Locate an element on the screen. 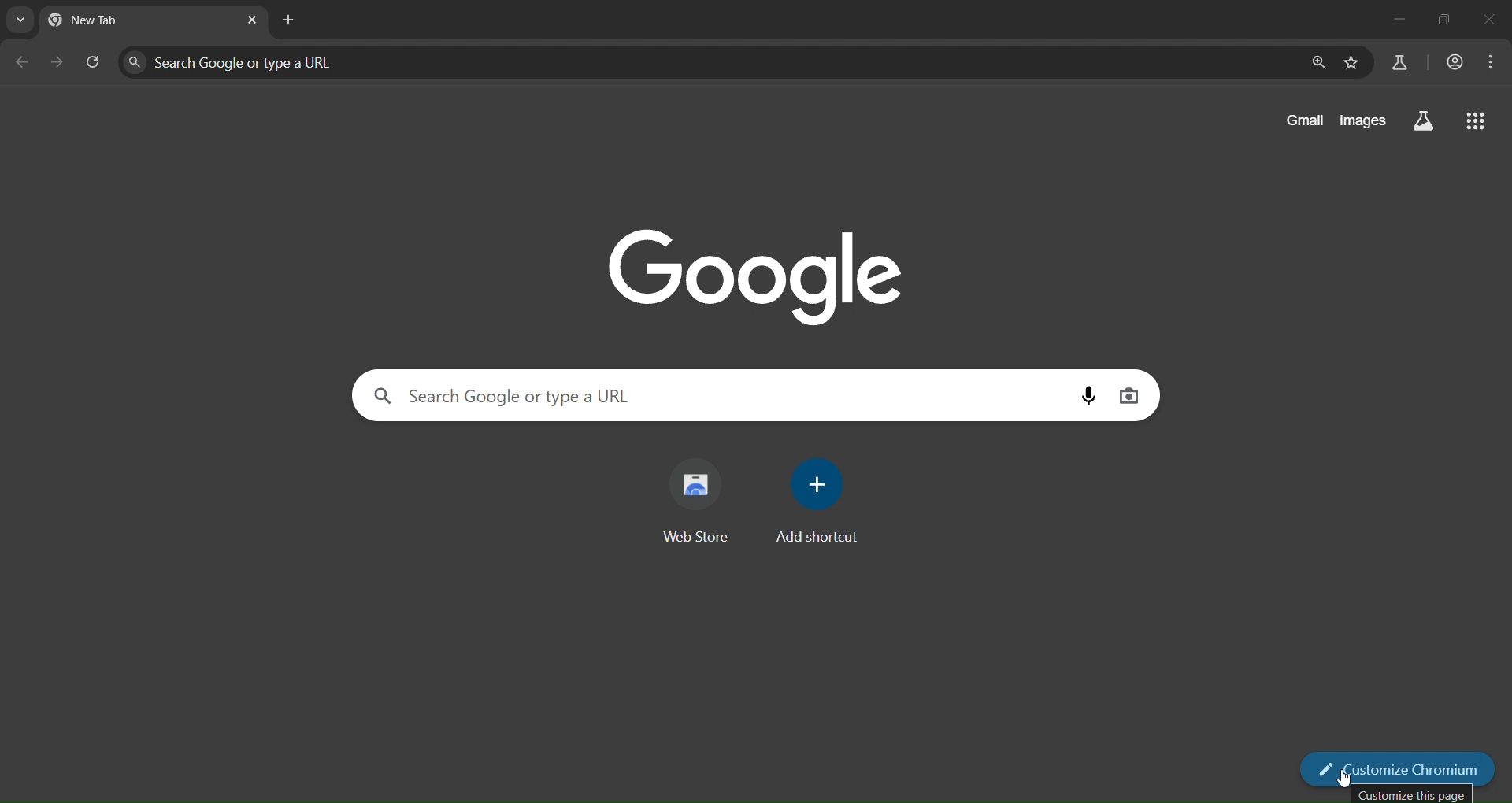 The width and height of the screenshot is (1512, 803). voice search is located at coordinates (1088, 396).